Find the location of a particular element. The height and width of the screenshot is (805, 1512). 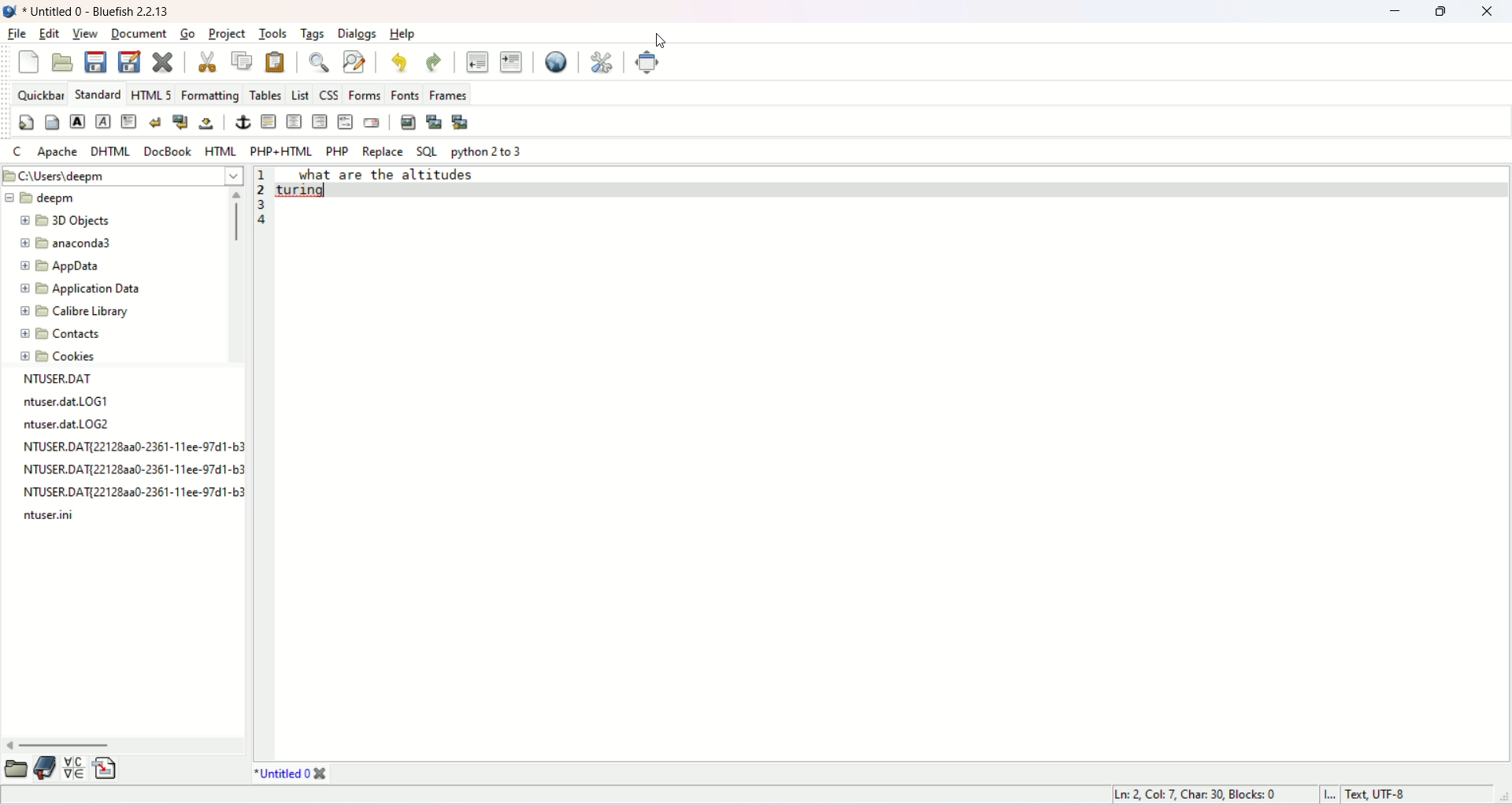

CSS is located at coordinates (328, 93).